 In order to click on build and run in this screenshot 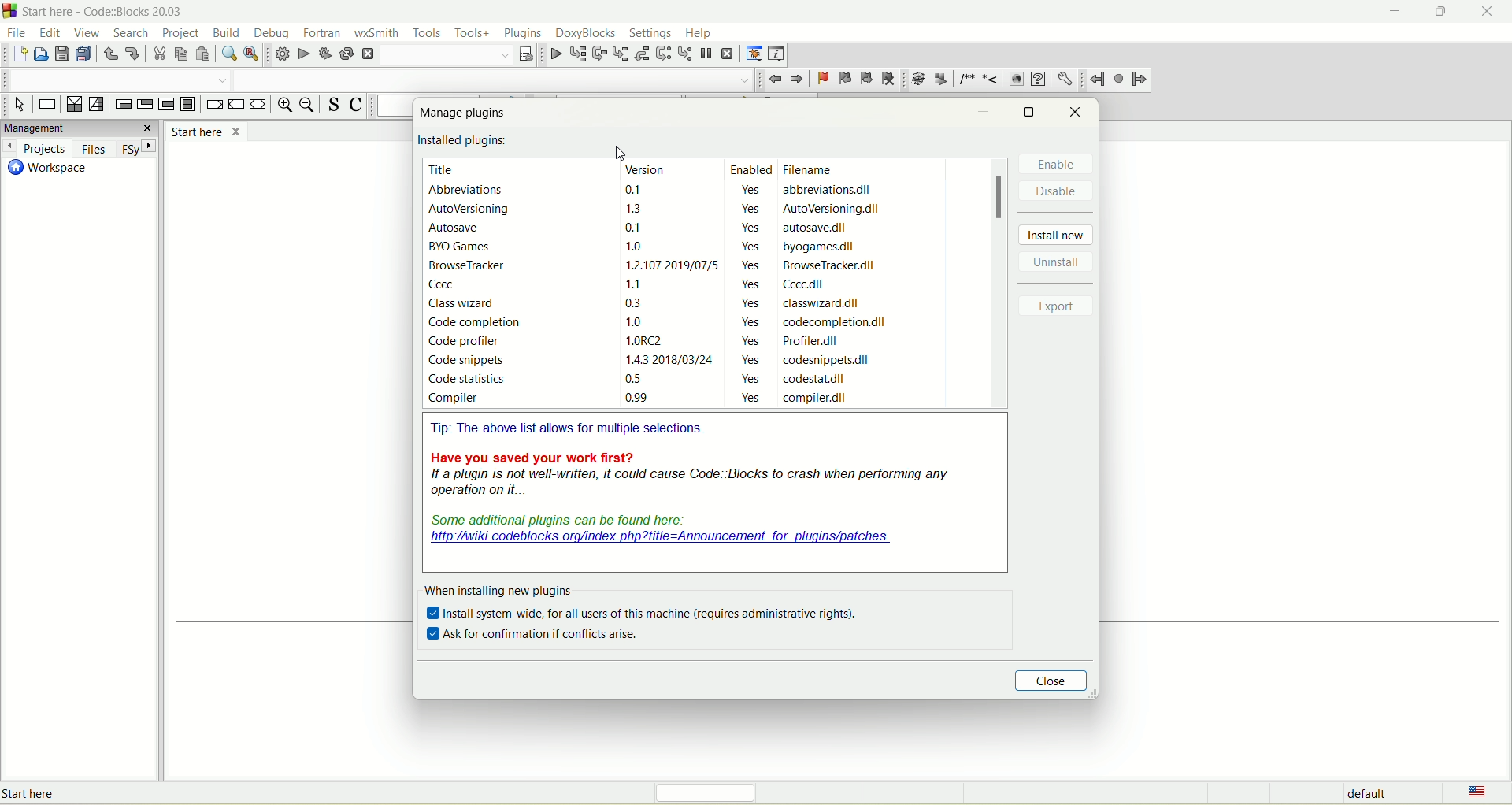, I will do `click(327, 54)`.